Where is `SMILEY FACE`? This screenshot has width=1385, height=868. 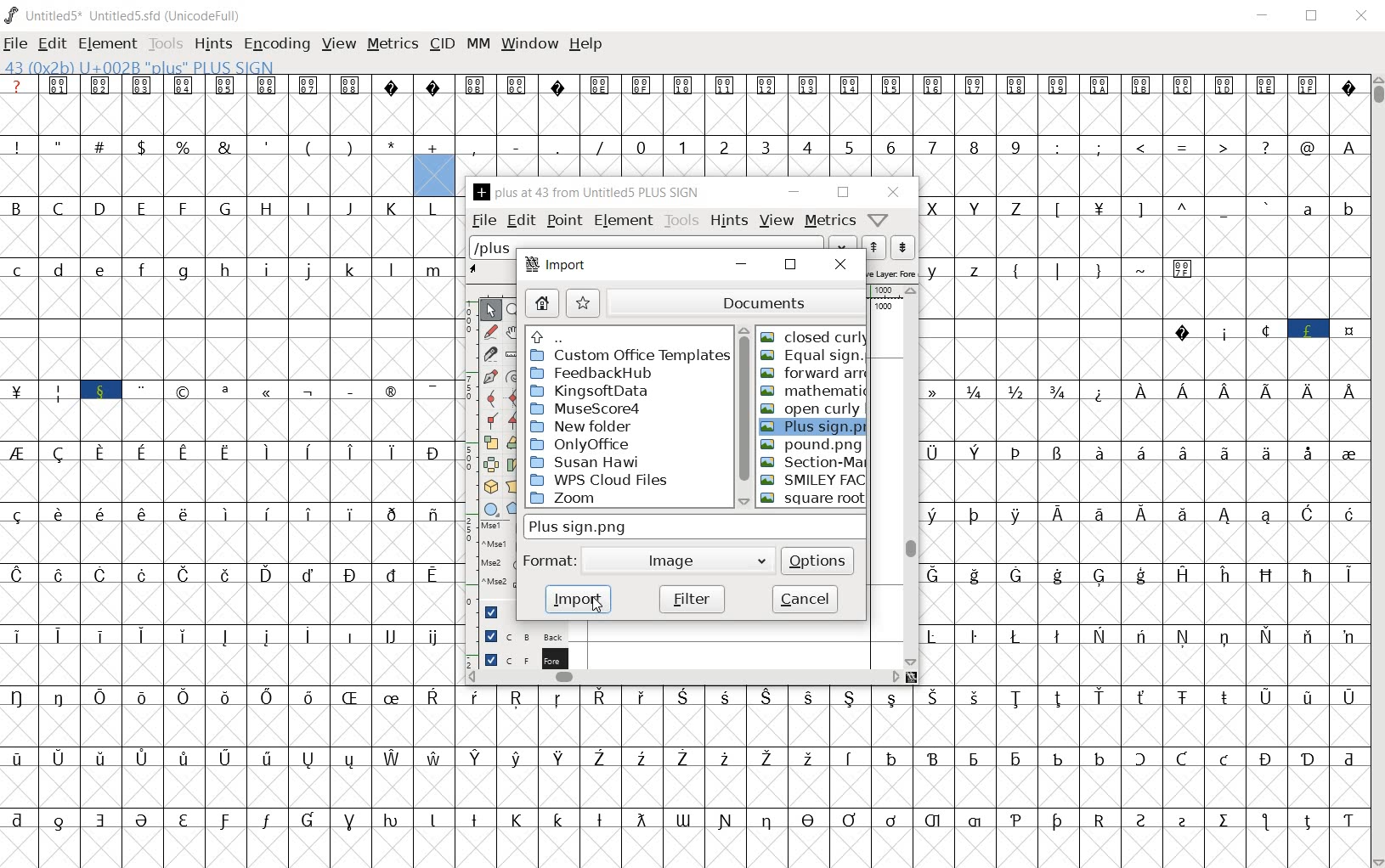 SMILEY FACE is located at coordinates (813, 479).